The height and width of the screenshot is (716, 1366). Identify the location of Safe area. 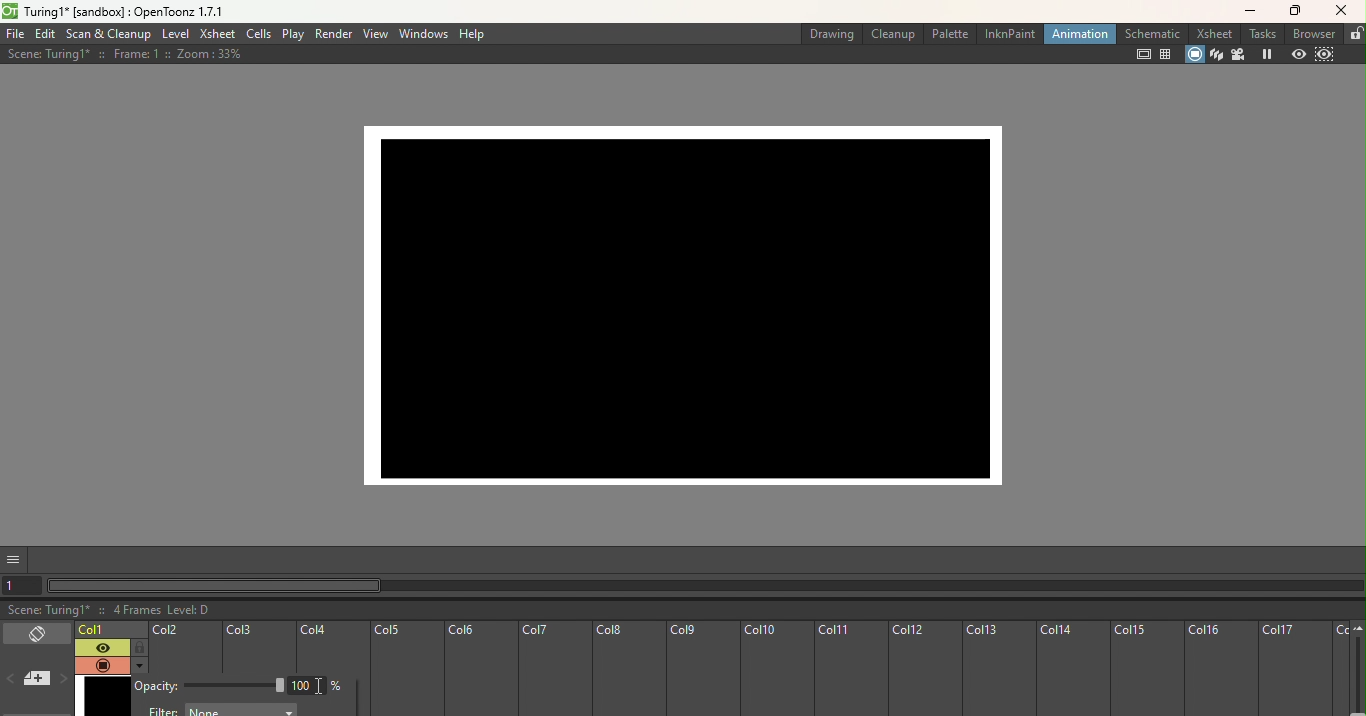
(1139, 55).